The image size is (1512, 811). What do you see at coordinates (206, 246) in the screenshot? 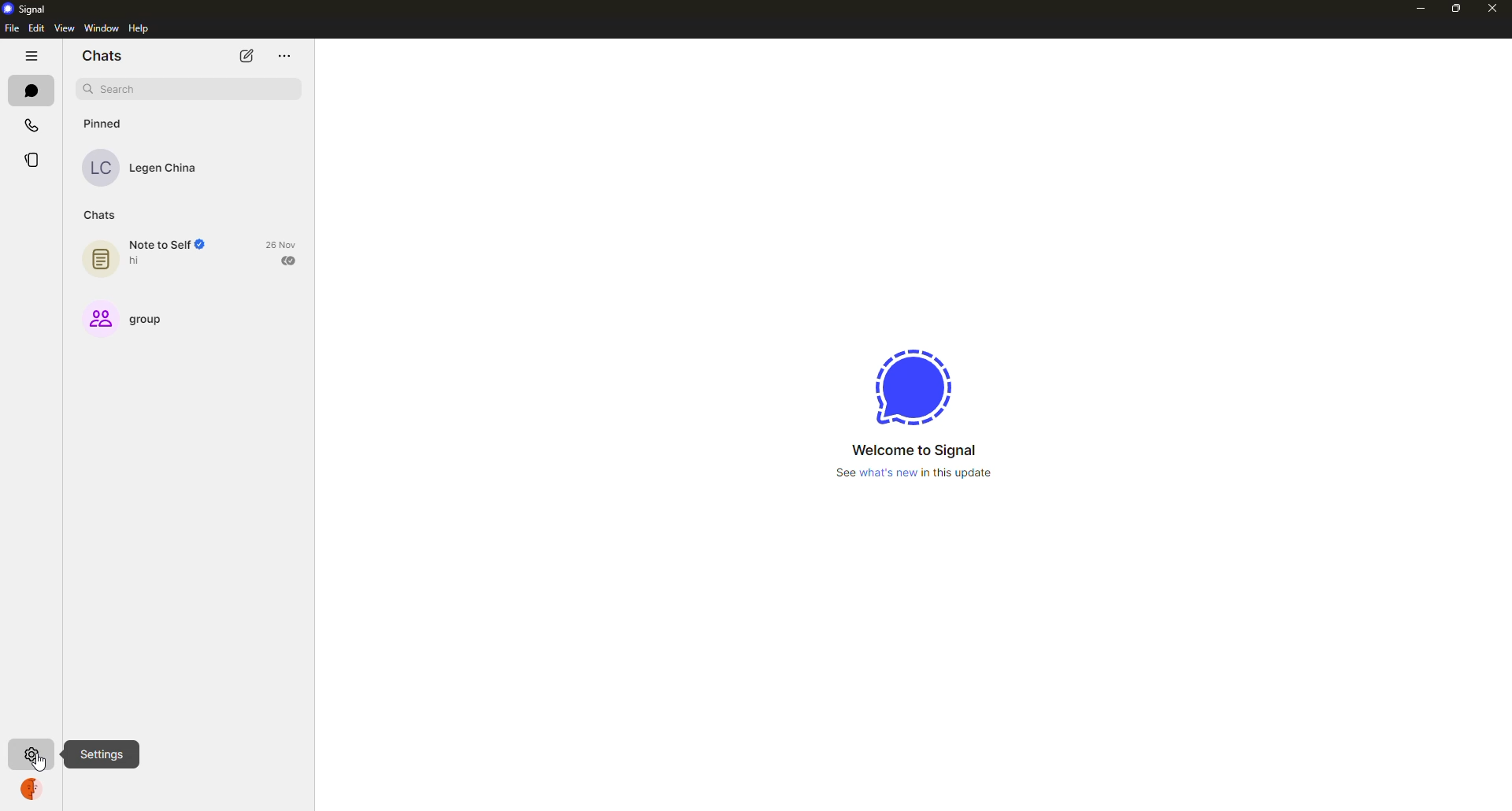
I see `Verified` at bounding box center [206, 246].